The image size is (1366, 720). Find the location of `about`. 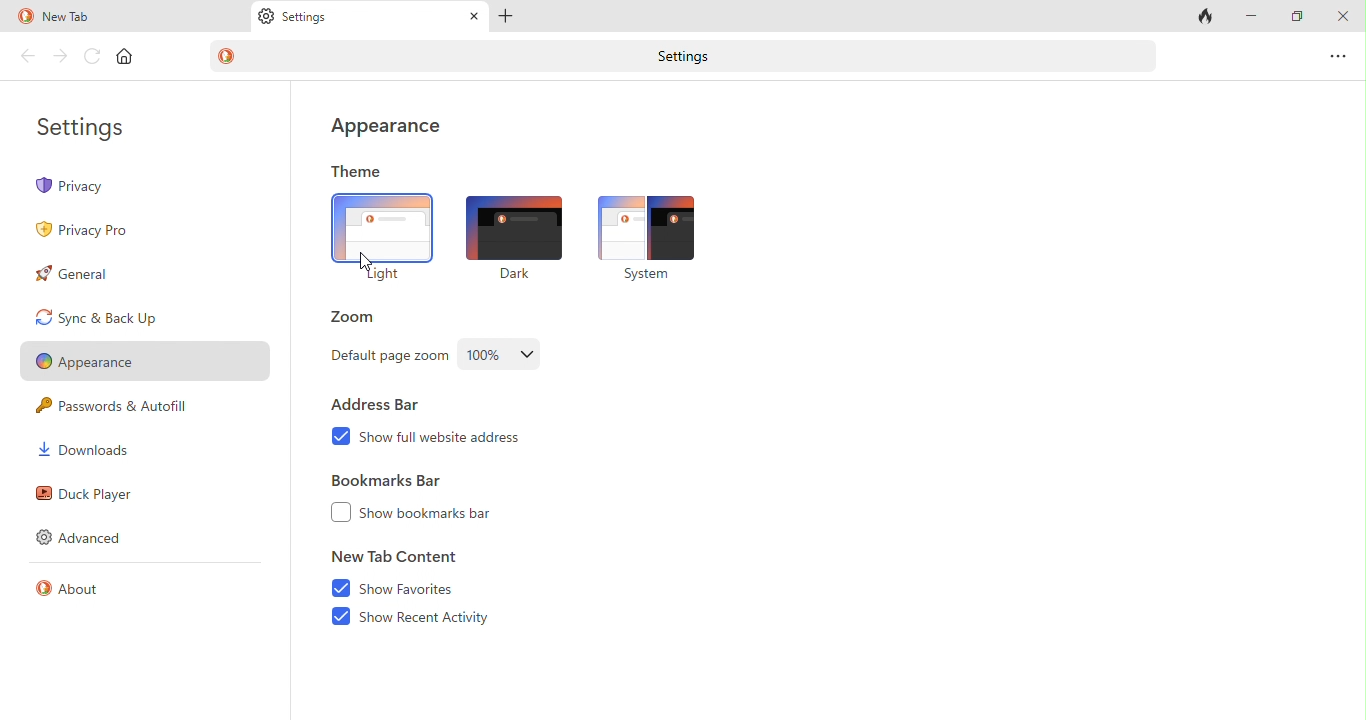

about is located at coordinates (76, 592).